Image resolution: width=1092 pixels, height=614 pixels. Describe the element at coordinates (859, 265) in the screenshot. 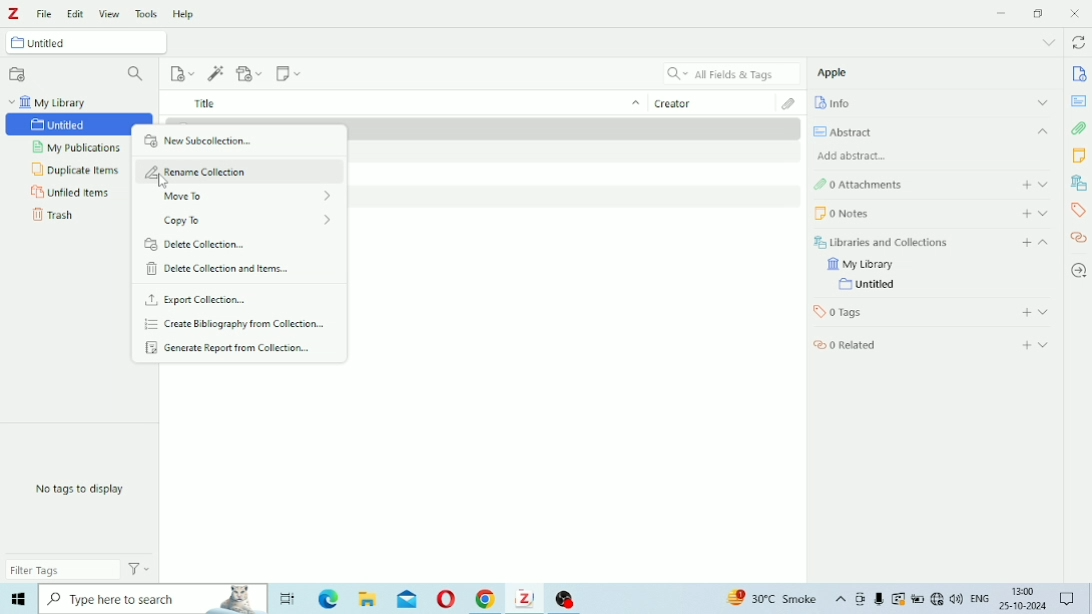

I see `My Library` at that location.